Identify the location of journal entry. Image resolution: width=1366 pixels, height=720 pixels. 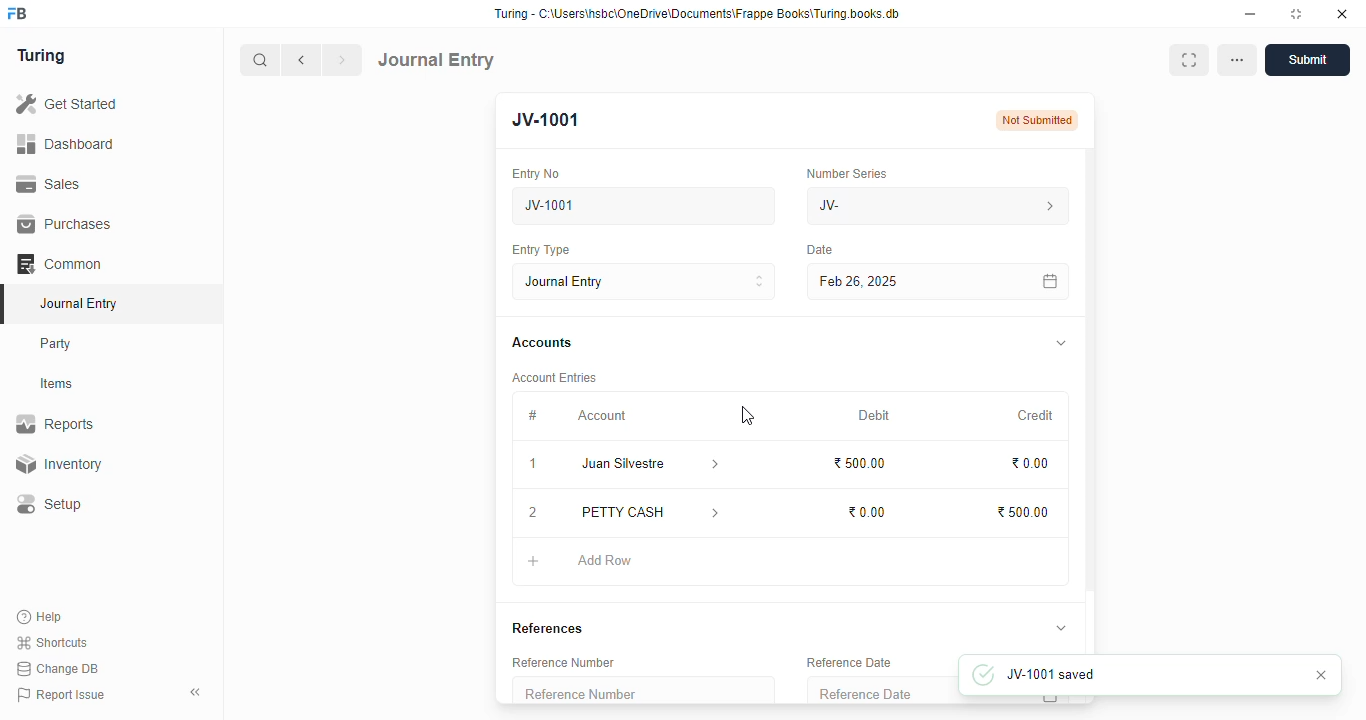
(78, 303).